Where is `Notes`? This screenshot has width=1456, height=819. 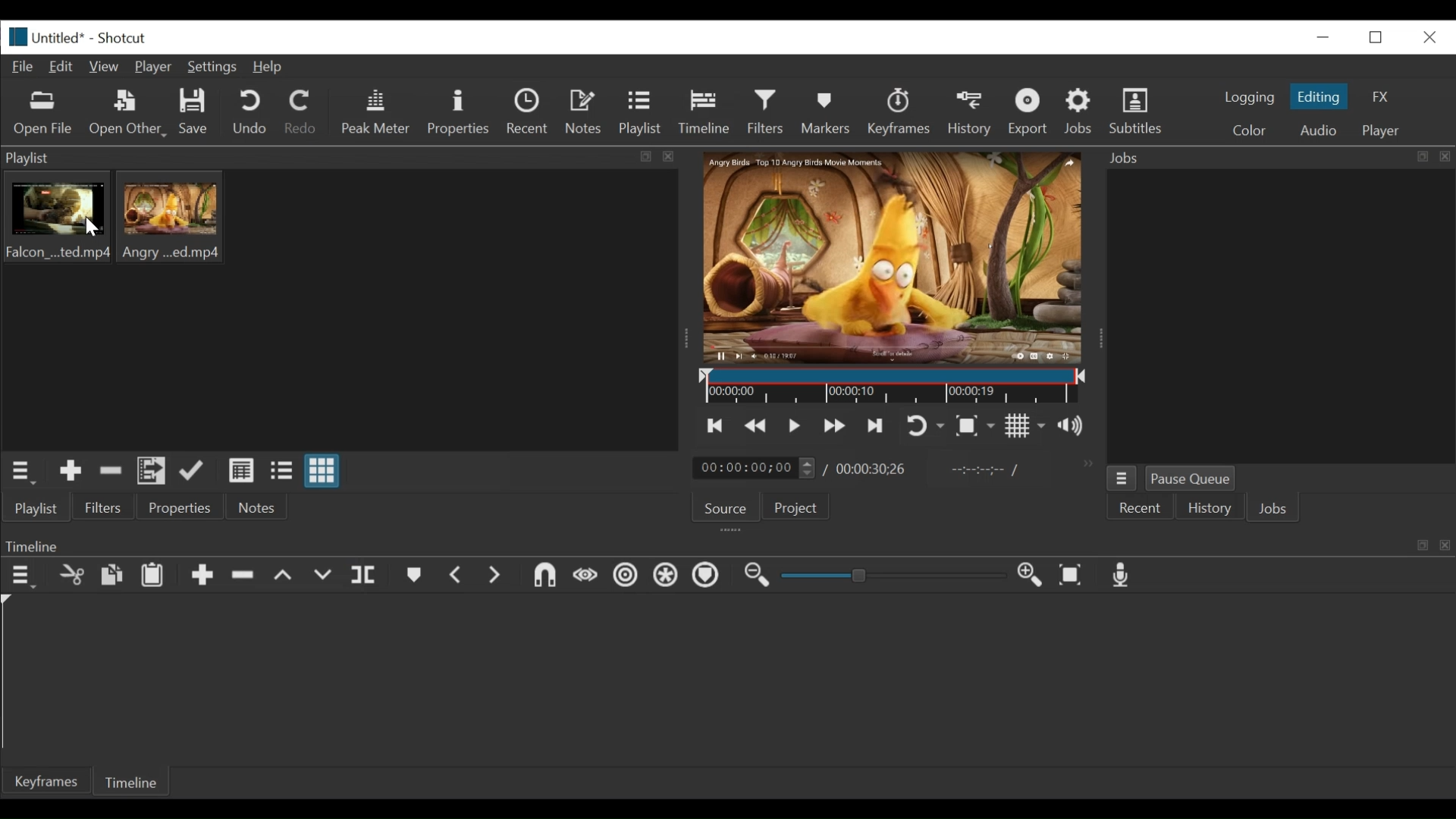 Notes is located at coordinates (257, 507).